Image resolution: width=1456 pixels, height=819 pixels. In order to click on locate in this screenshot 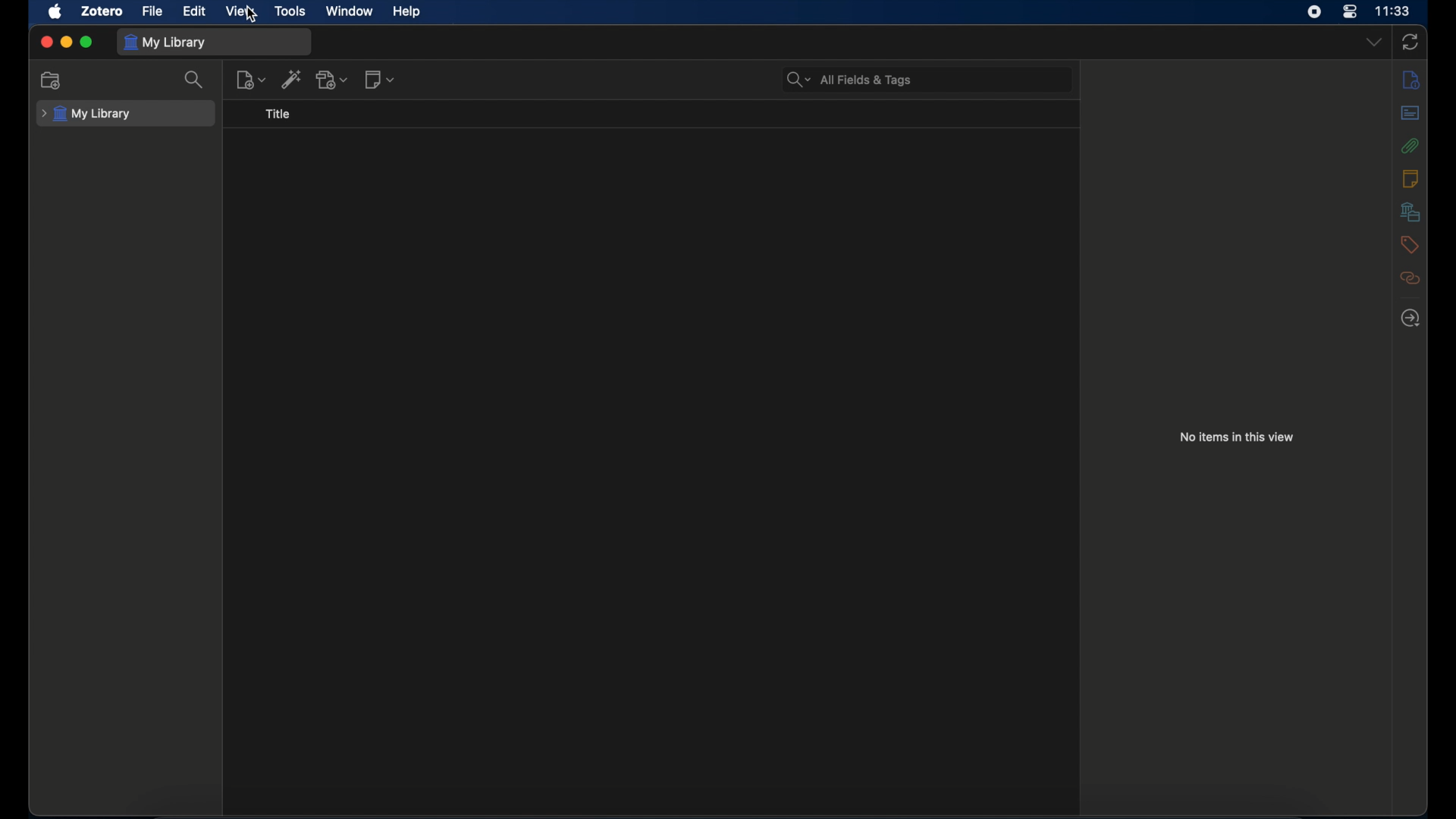, I will do `click(1410, 318)`.